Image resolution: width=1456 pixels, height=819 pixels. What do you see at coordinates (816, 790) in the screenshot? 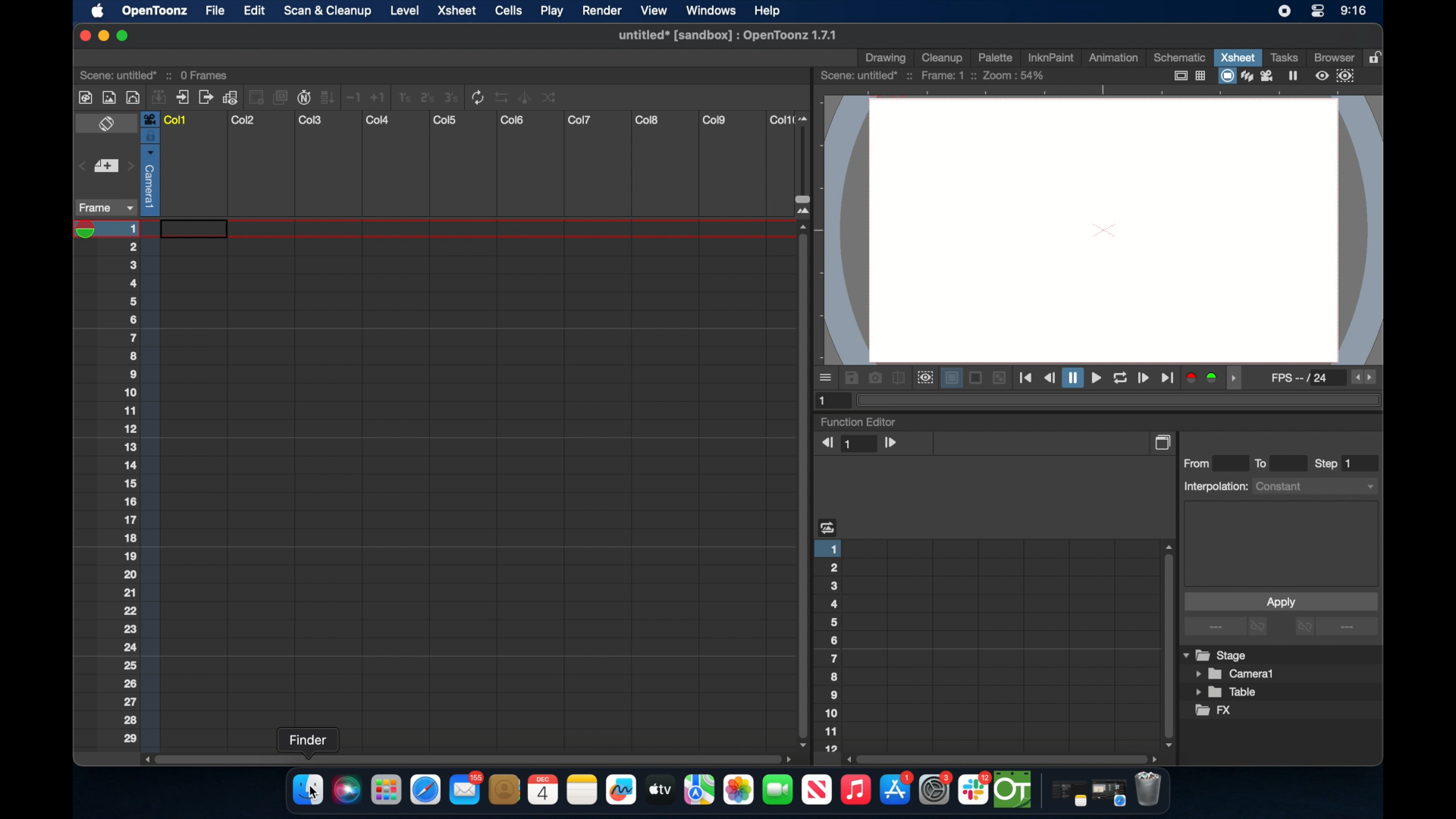
I see `apple tv` at bounding box center [816, 790].